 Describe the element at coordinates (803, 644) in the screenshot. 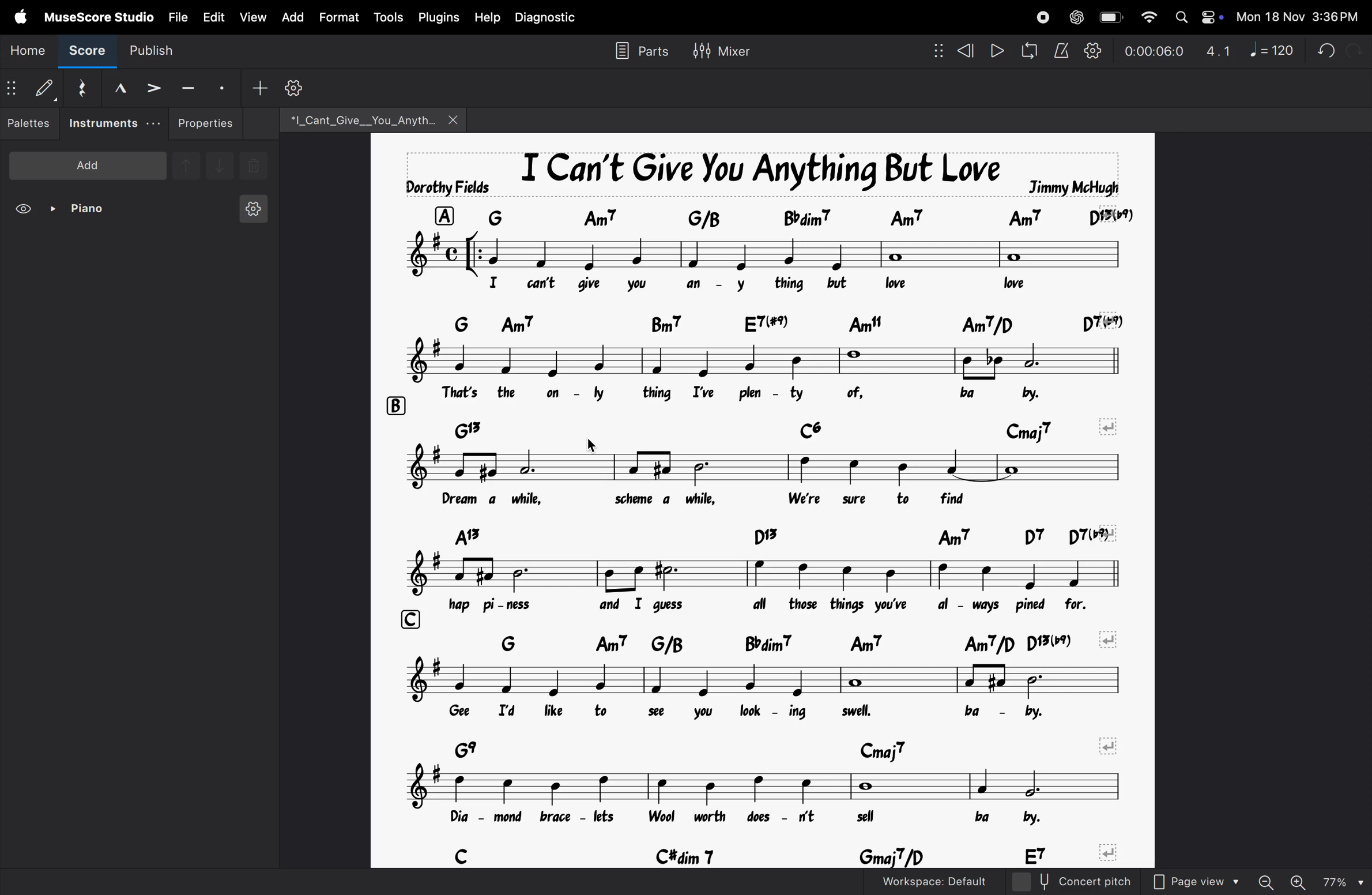

I see `chord symbols` at that location.